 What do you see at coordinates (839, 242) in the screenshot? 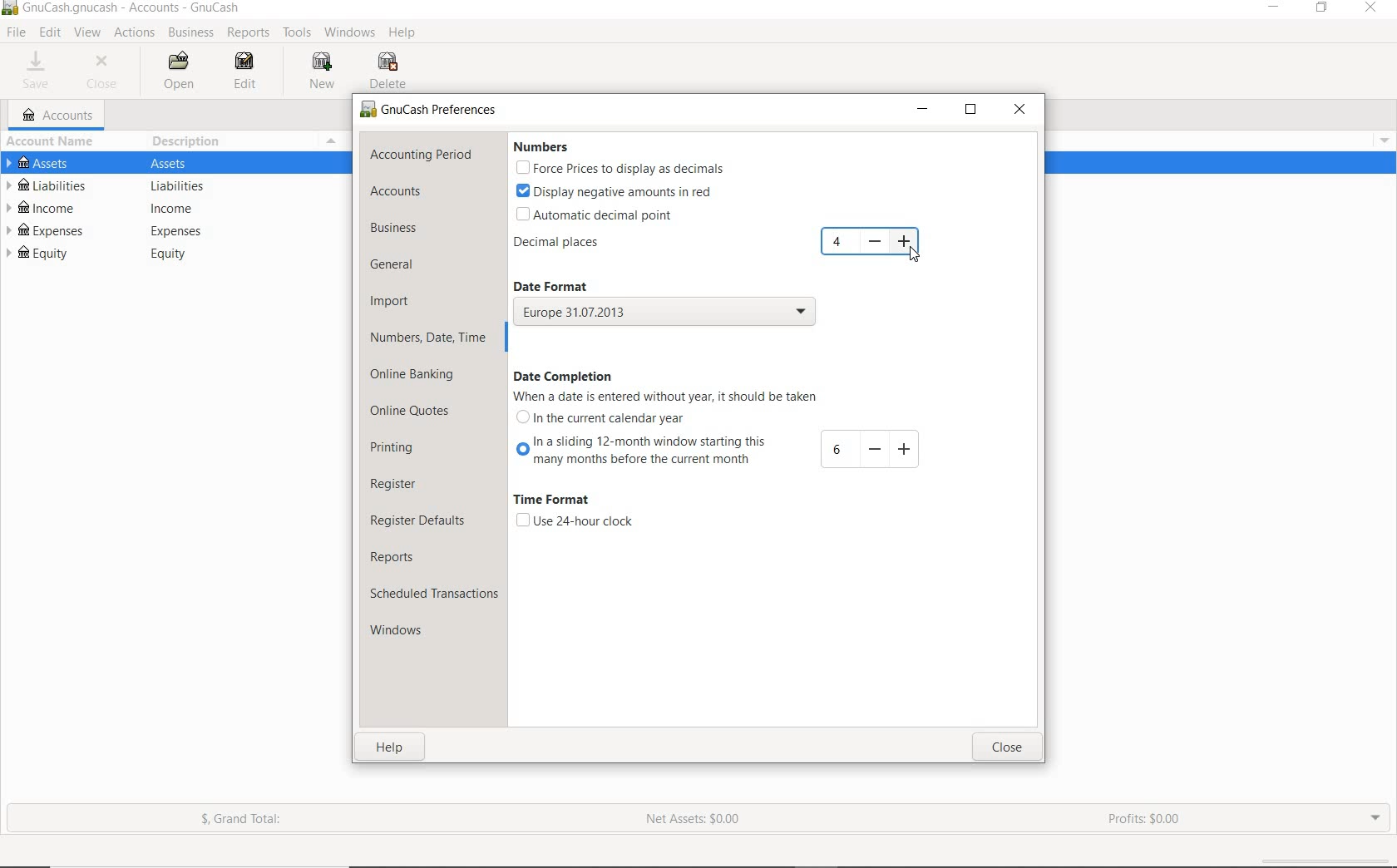
I see `add decimal place` at bounding box center [839, 242].